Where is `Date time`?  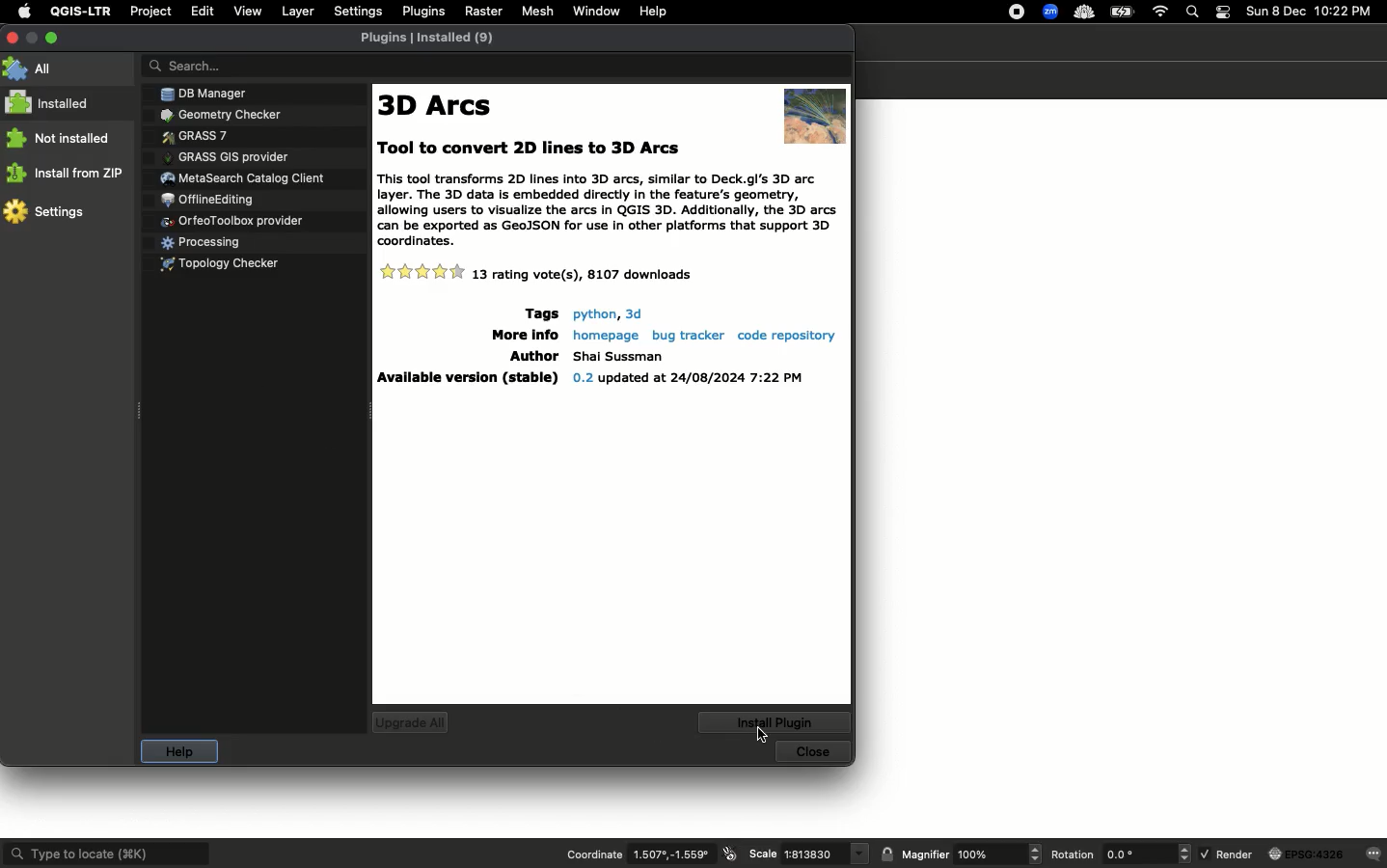 Date time is located at coordinates (1310, 12).